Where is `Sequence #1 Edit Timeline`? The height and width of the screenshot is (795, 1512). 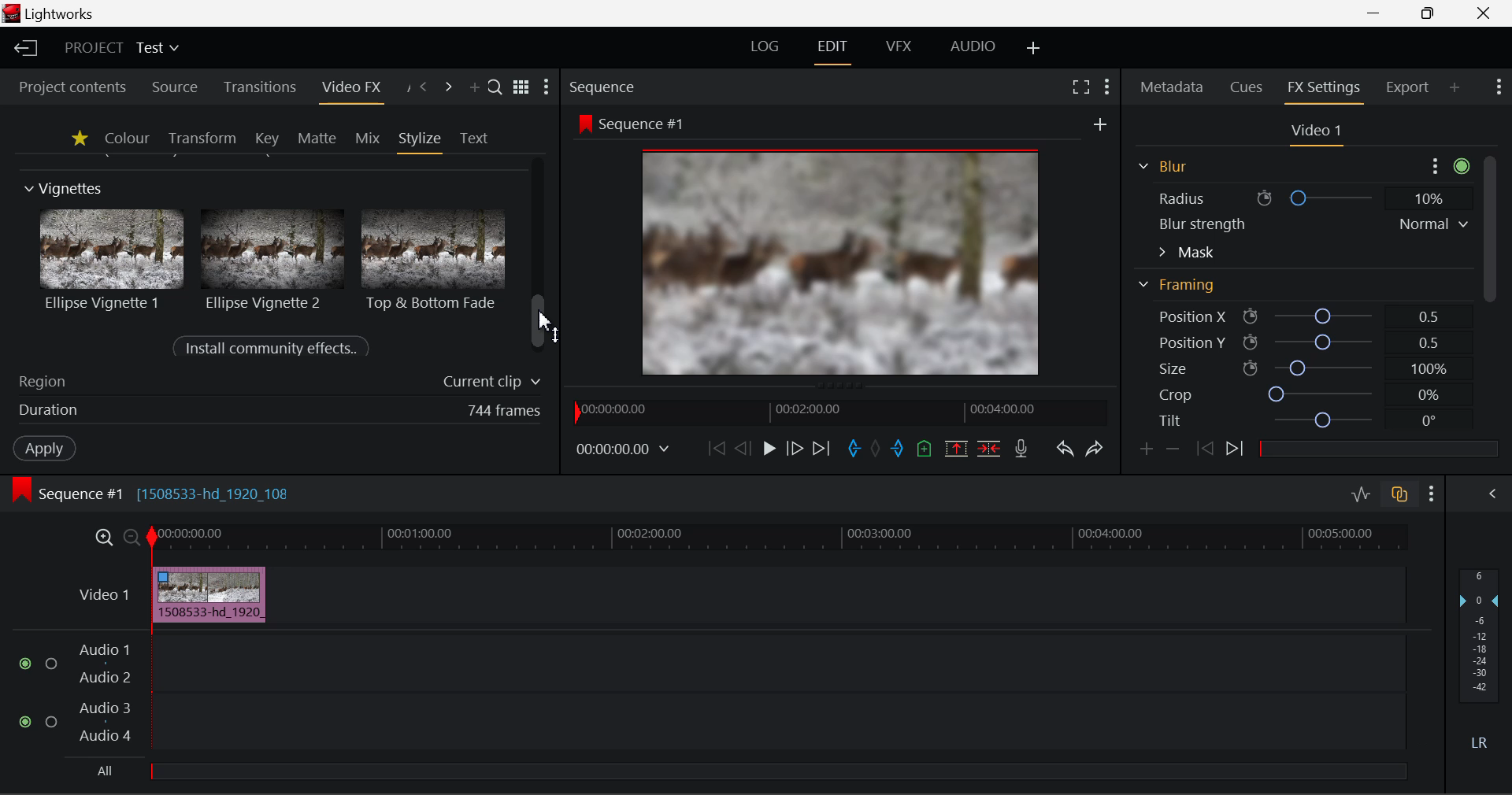 Sequence #1 Edit Timeline is located at coordinates (157, 492).